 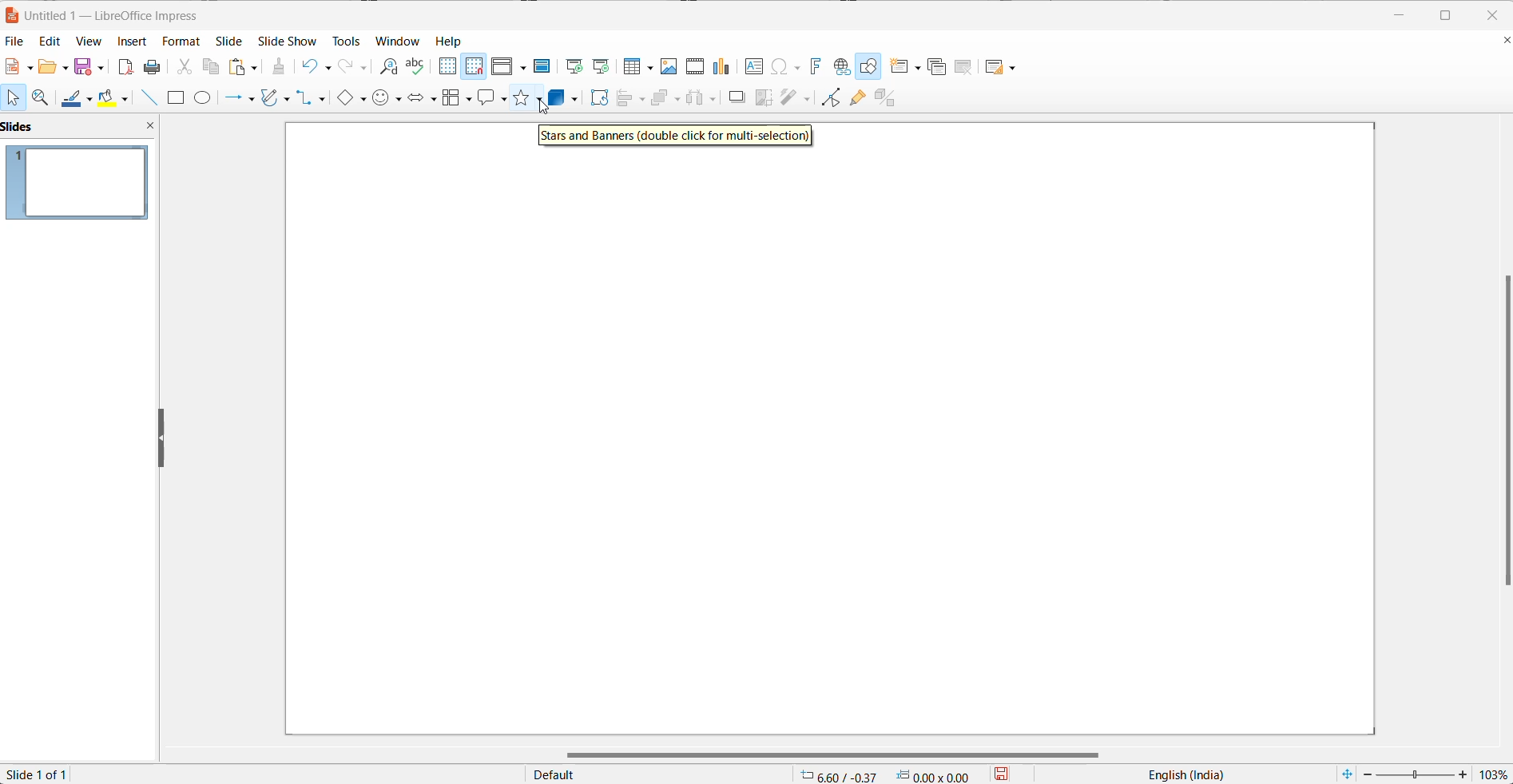 What do you see at coordinates (722, 68) in the screenshot?
I see `insert chart` at bounding box center [722, 68].